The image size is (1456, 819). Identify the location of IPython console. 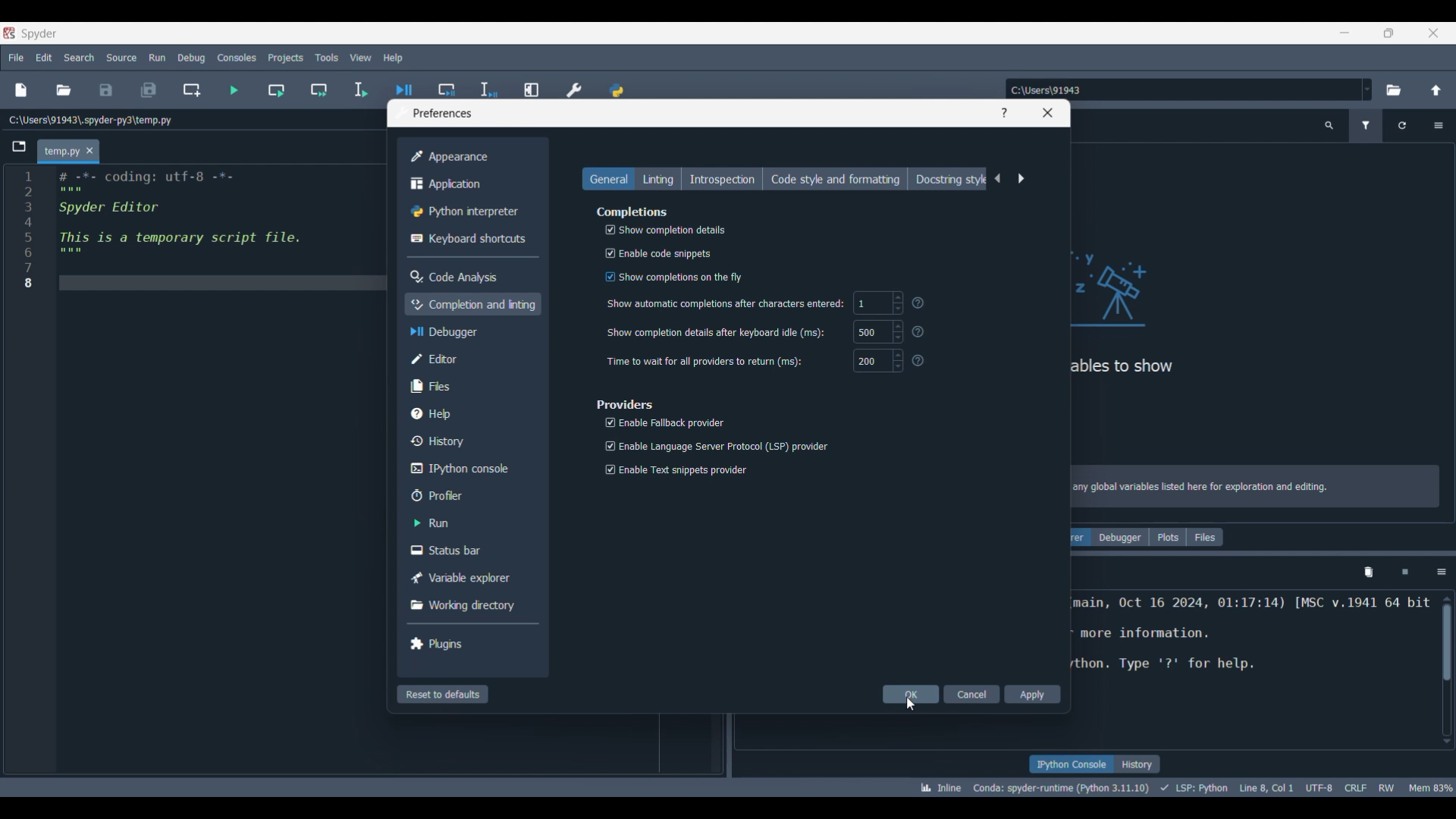
(469, 469).